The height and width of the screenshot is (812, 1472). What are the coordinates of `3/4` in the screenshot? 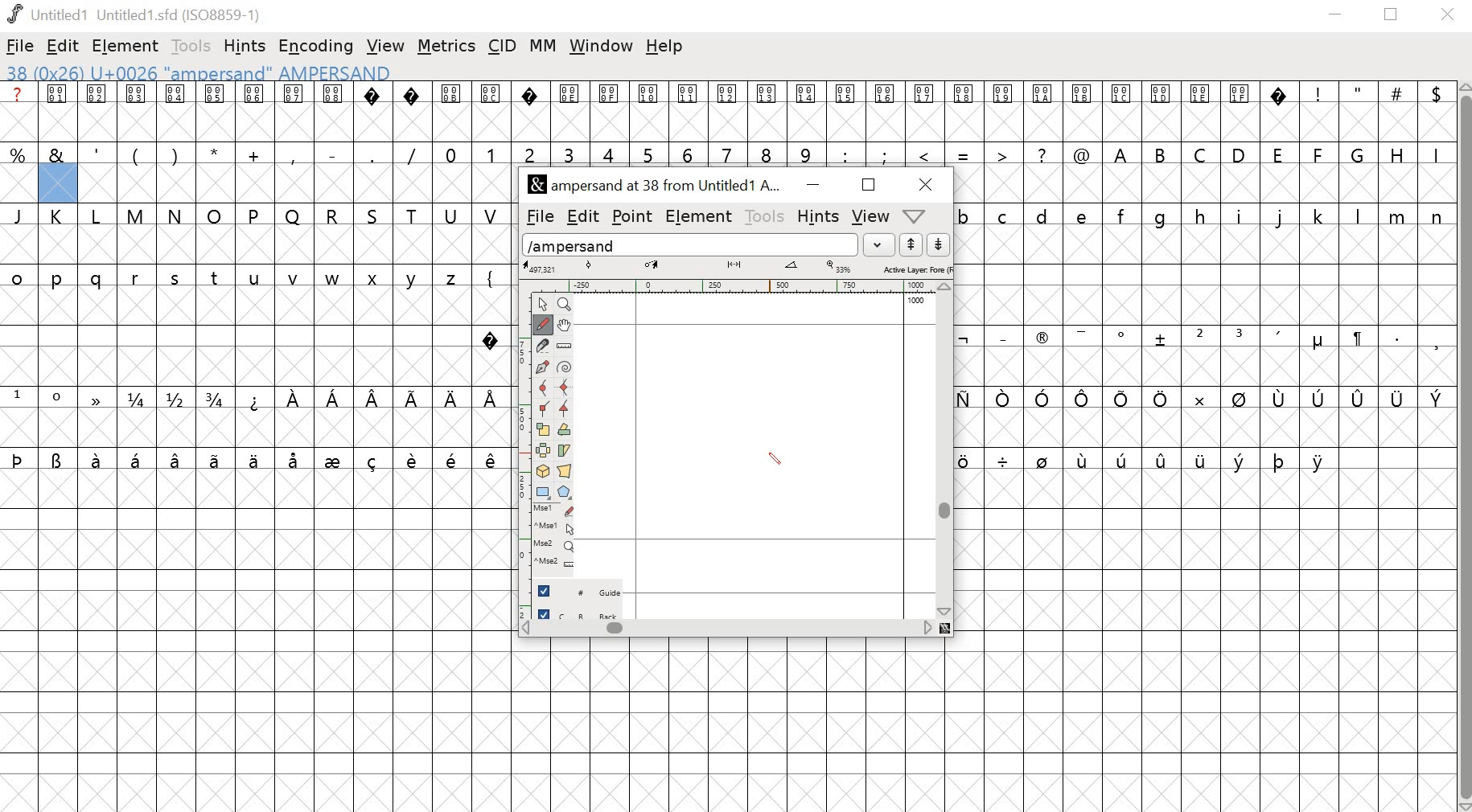 It's located at (218, 399).